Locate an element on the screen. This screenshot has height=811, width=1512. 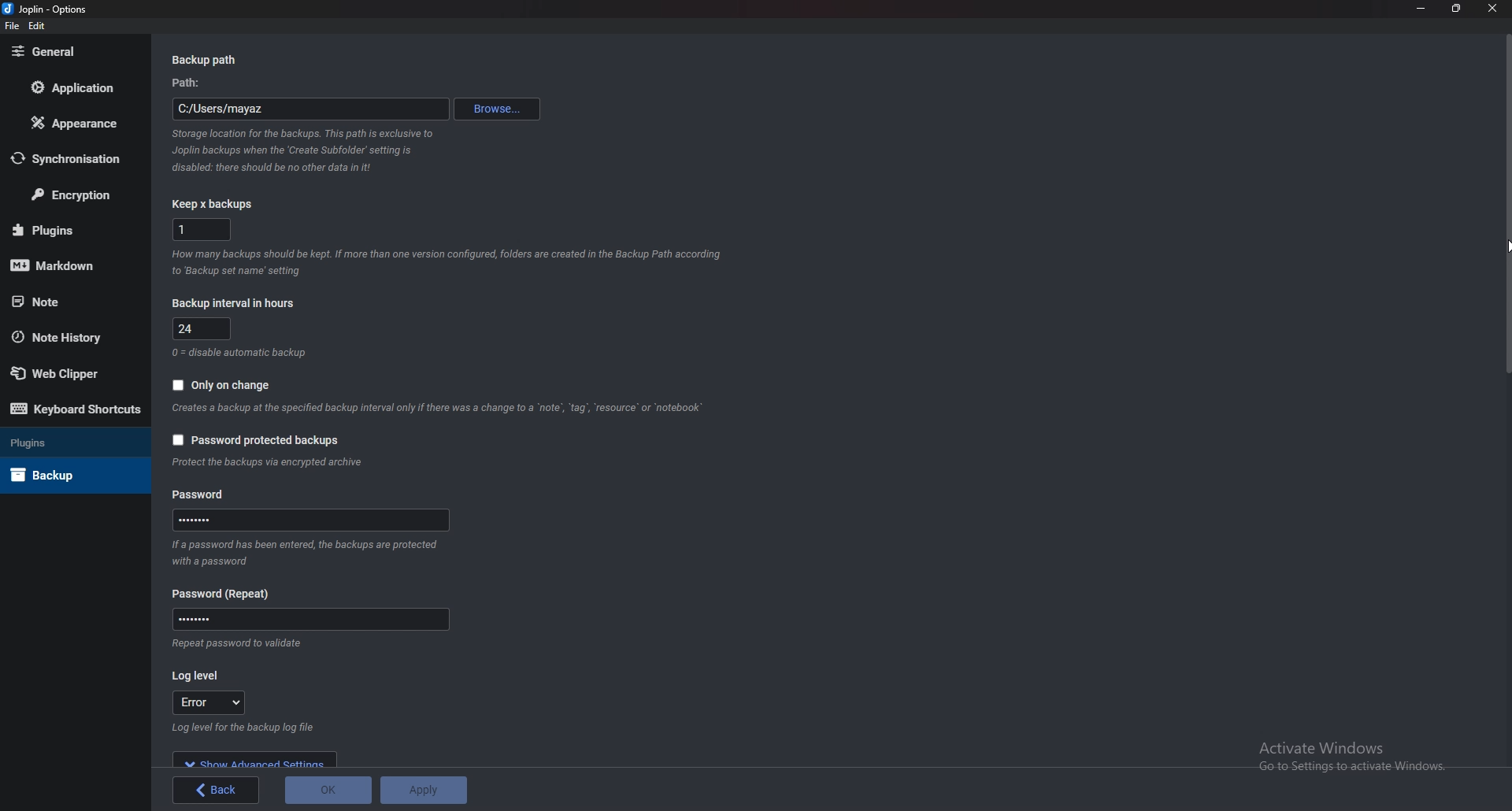
Application is located at coordinates (80, 87).